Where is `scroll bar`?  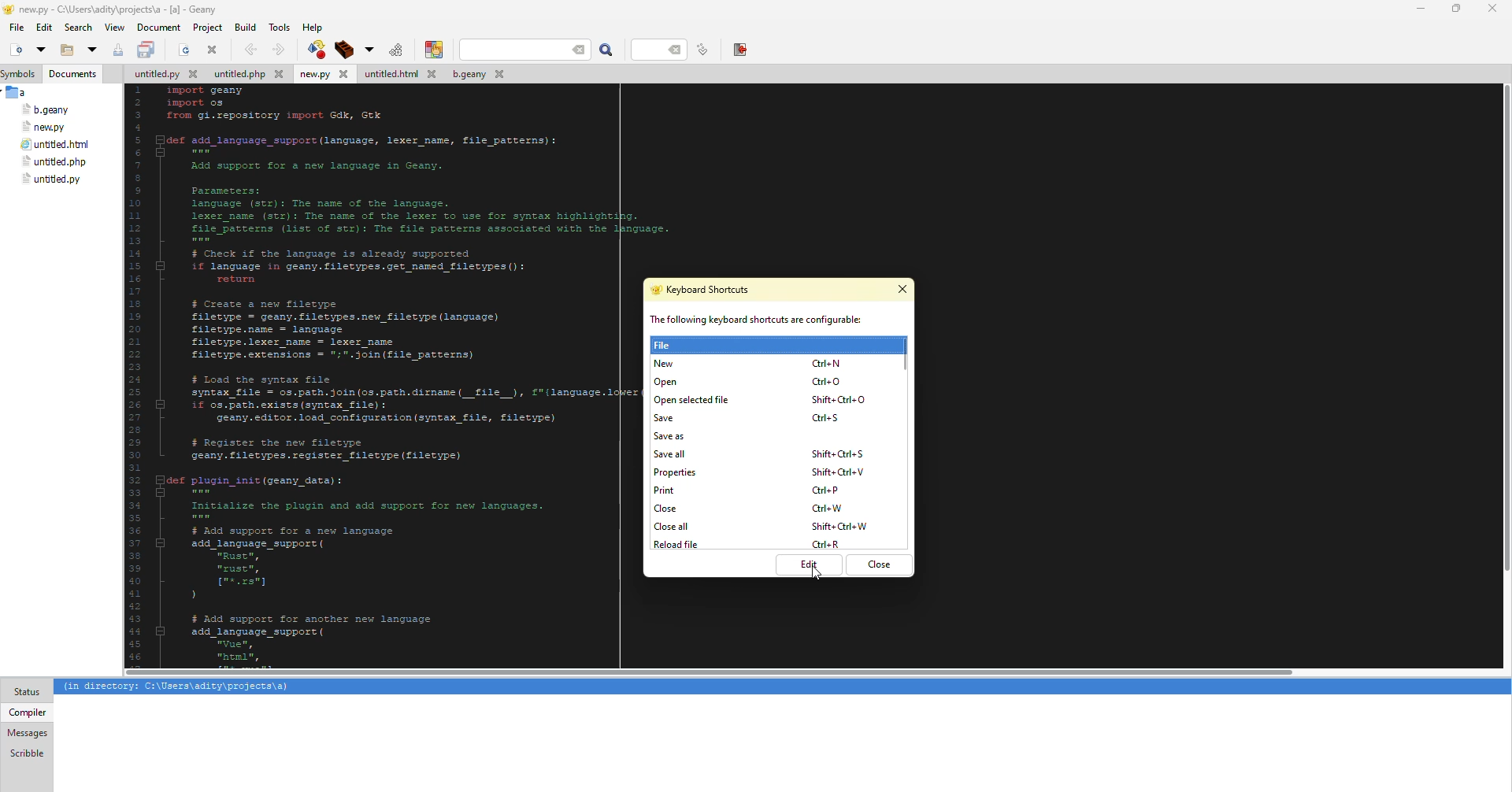
scroll bar is located at coordinates (904, 359).